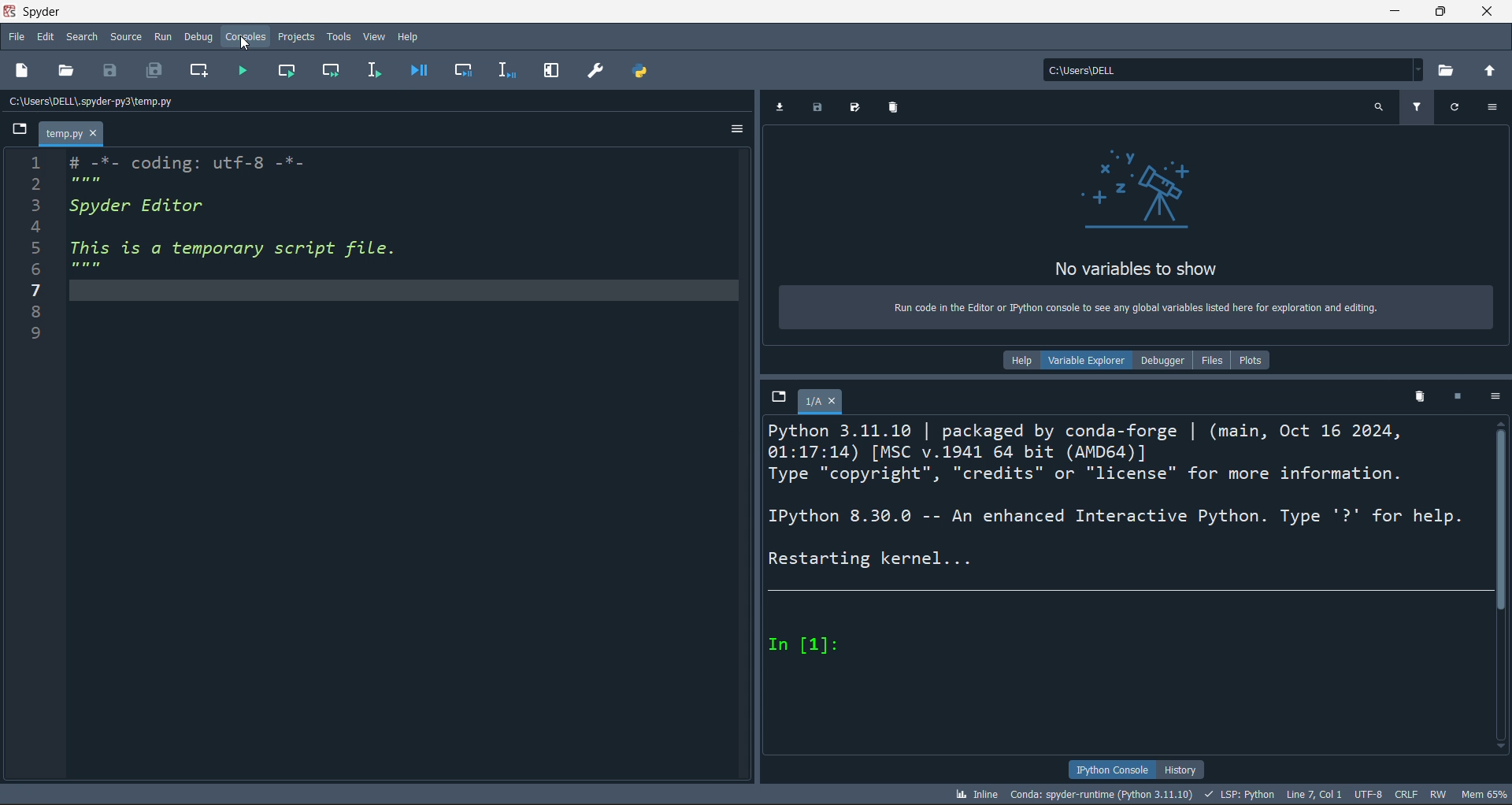 This screenshot has width=1512, height=805. What do you see at coordinates (1503, 584) in the screenshot?
I see `scroll bat` at bounding box center [1503, 584].